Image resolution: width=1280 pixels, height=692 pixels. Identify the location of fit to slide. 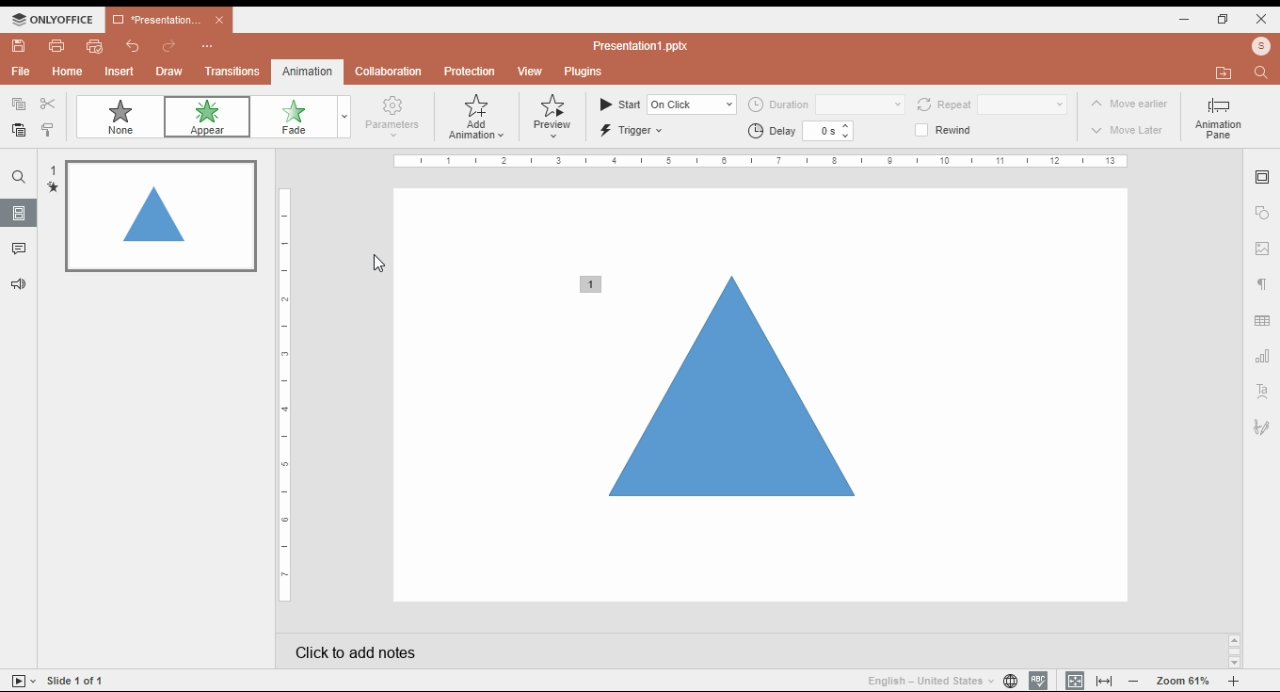
(1074, 681).